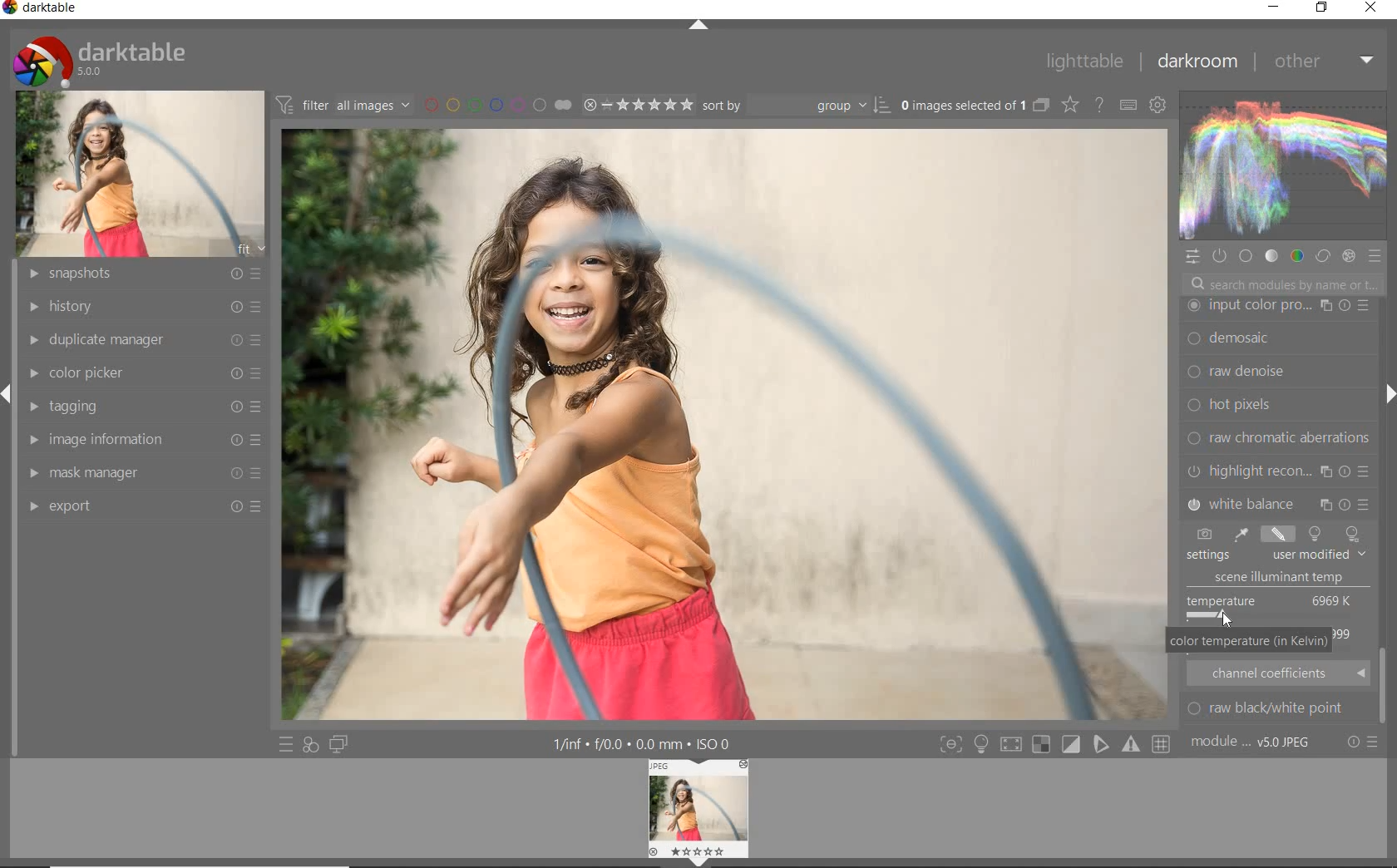 The width and height of the screenshot is (1397, 868). What do you see at coordinates (724, 426) in the screenshot?
I see `image selected` at bounding box center [724, 426].